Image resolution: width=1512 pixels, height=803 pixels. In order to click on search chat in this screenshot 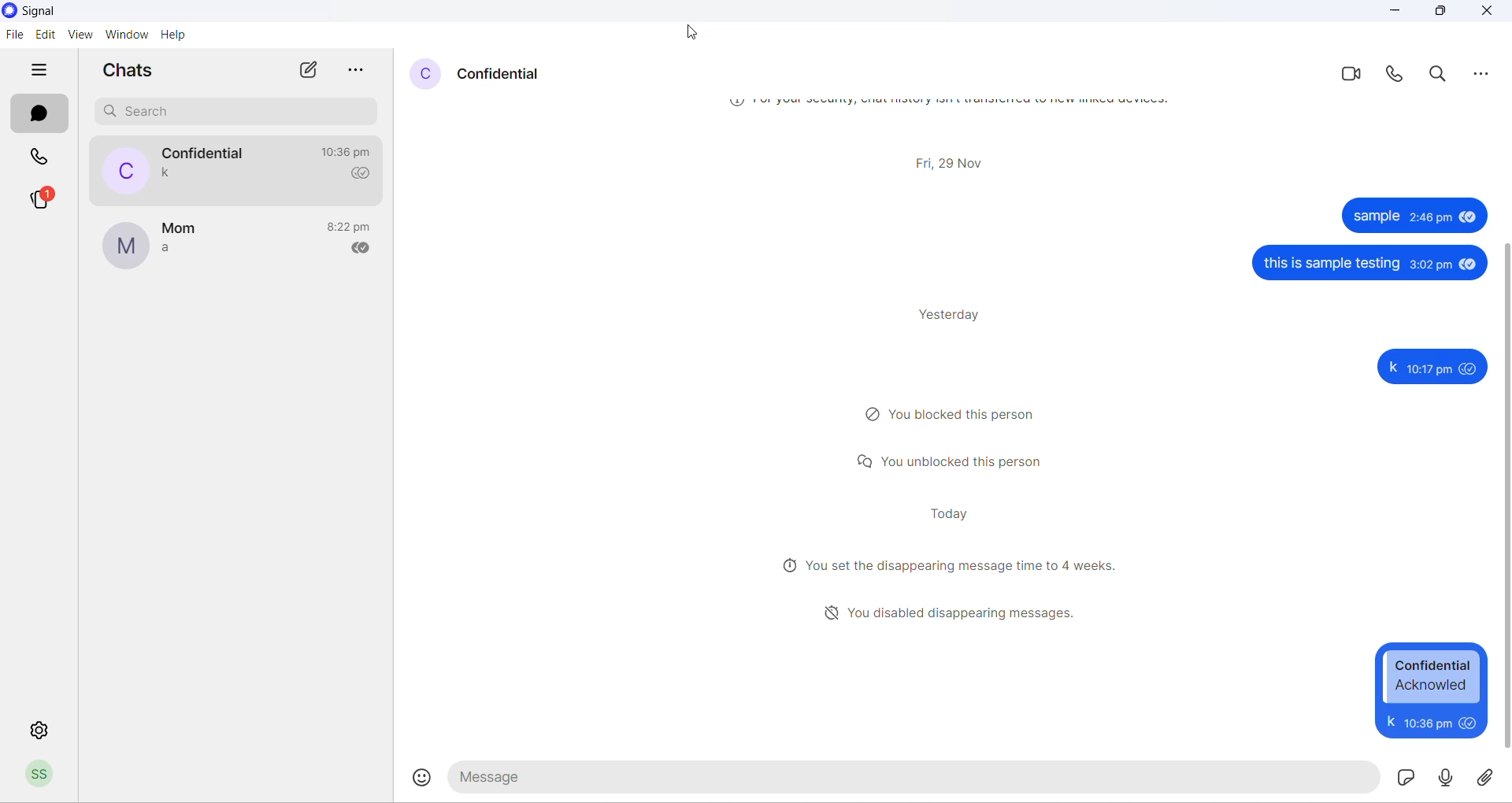, I will do `click(237, 113)`.